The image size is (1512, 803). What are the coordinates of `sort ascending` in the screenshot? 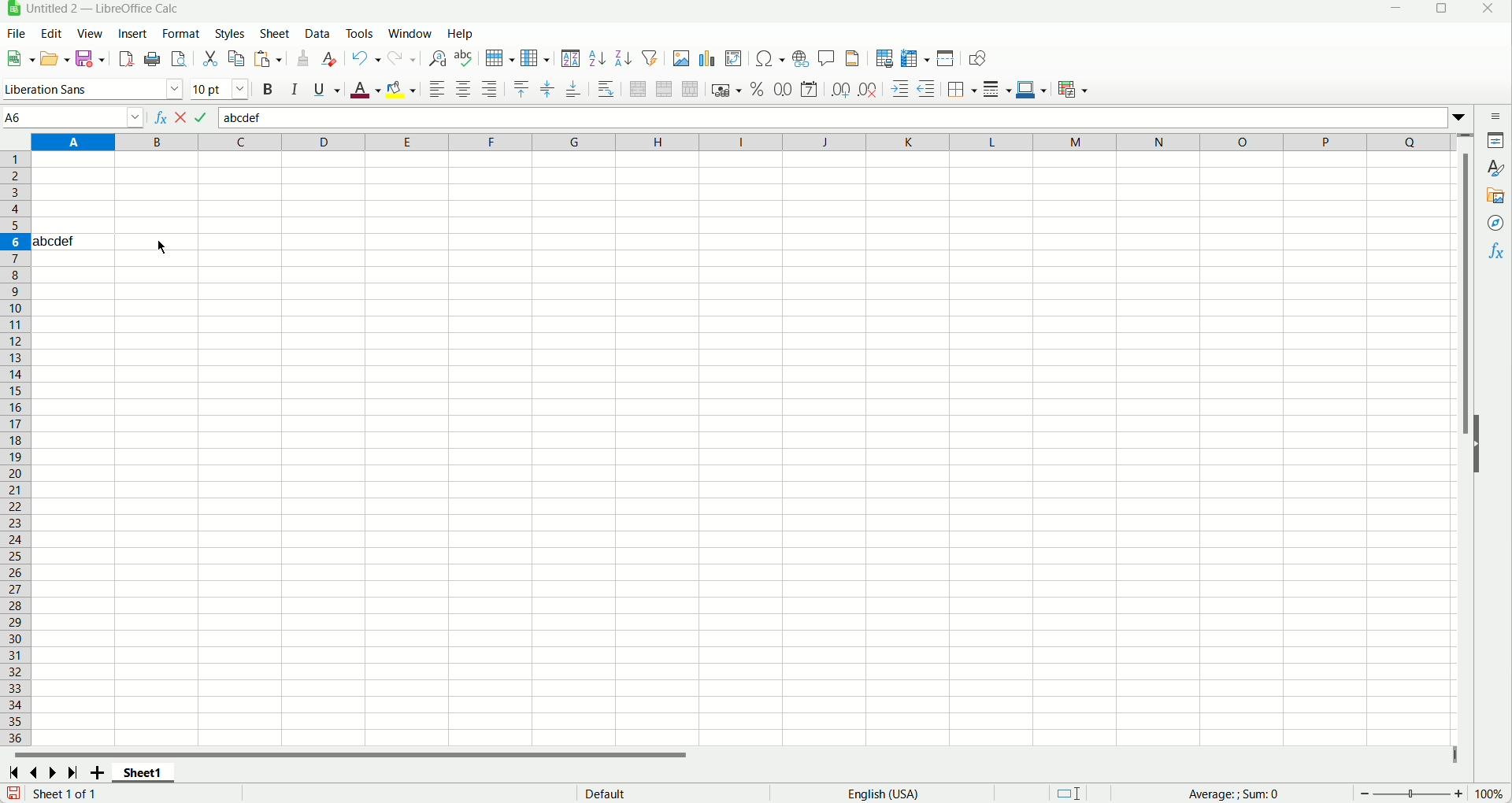 It's located at (597, 58).